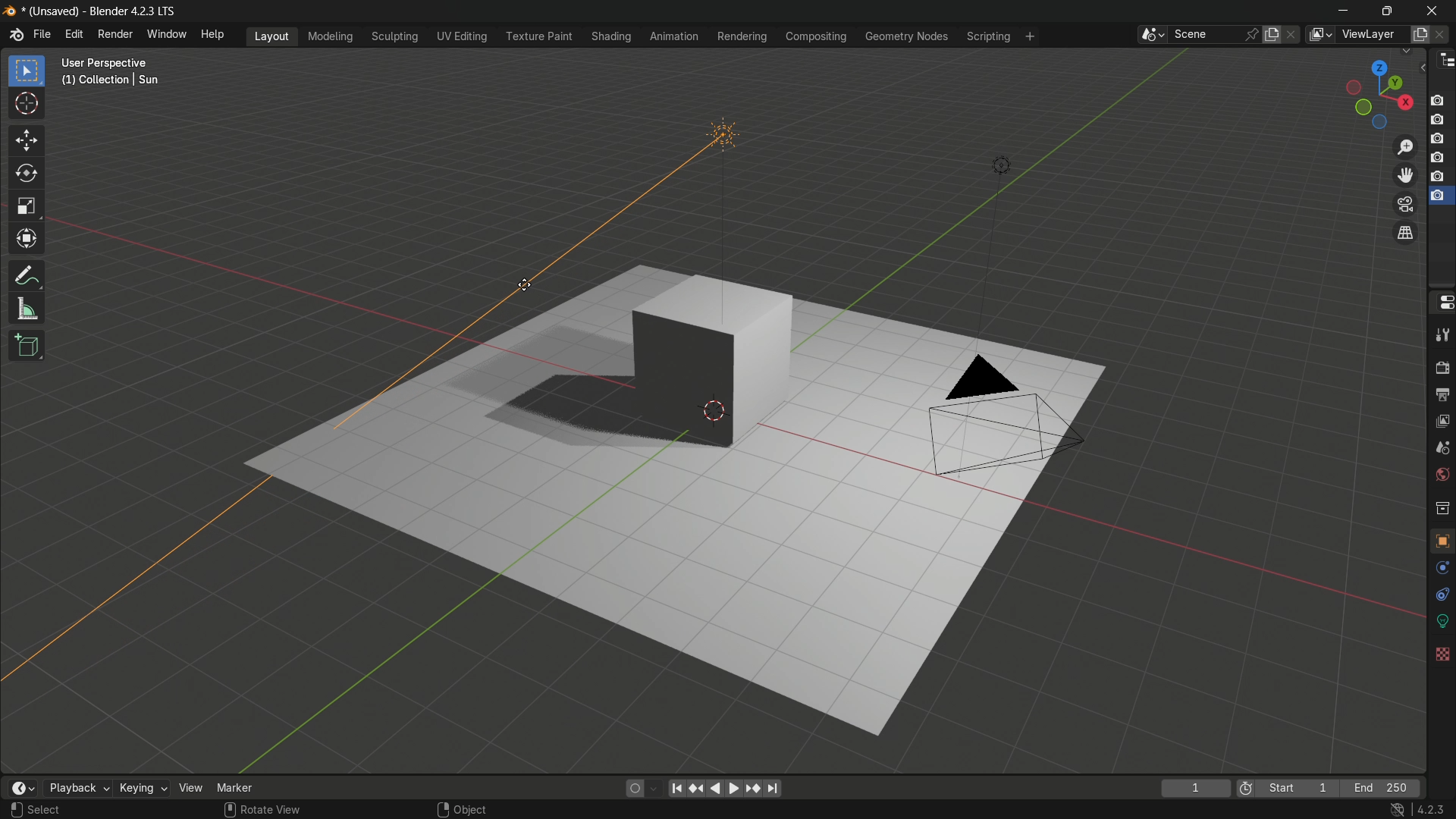 The image size is (1456, 819). What do you see at coordinates (1442, 366) in the screenshot?
I see `render` at bounding box center [1442, 366].